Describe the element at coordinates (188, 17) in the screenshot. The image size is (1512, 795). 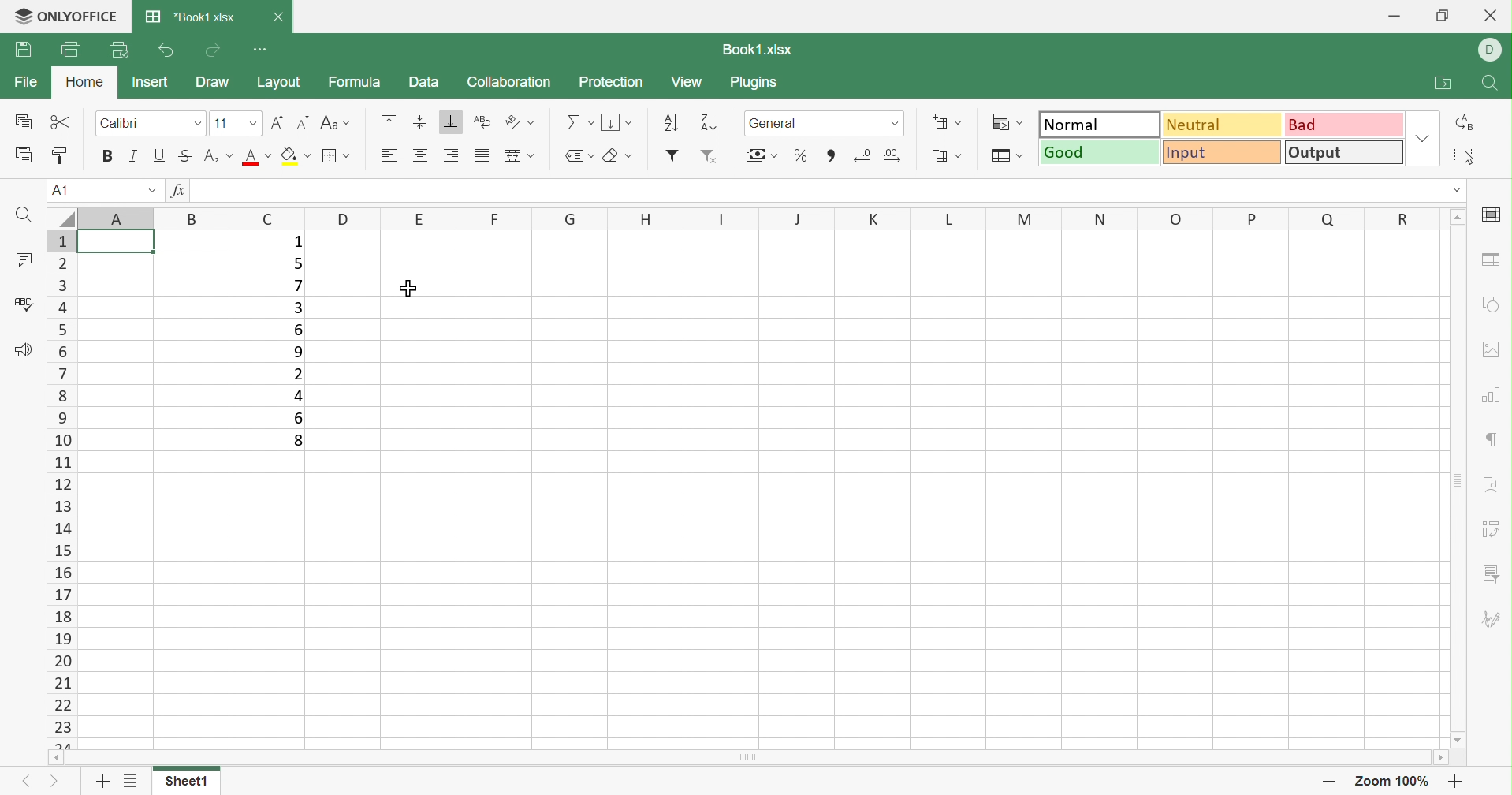
I see `*Book1.xlsx` at that location.